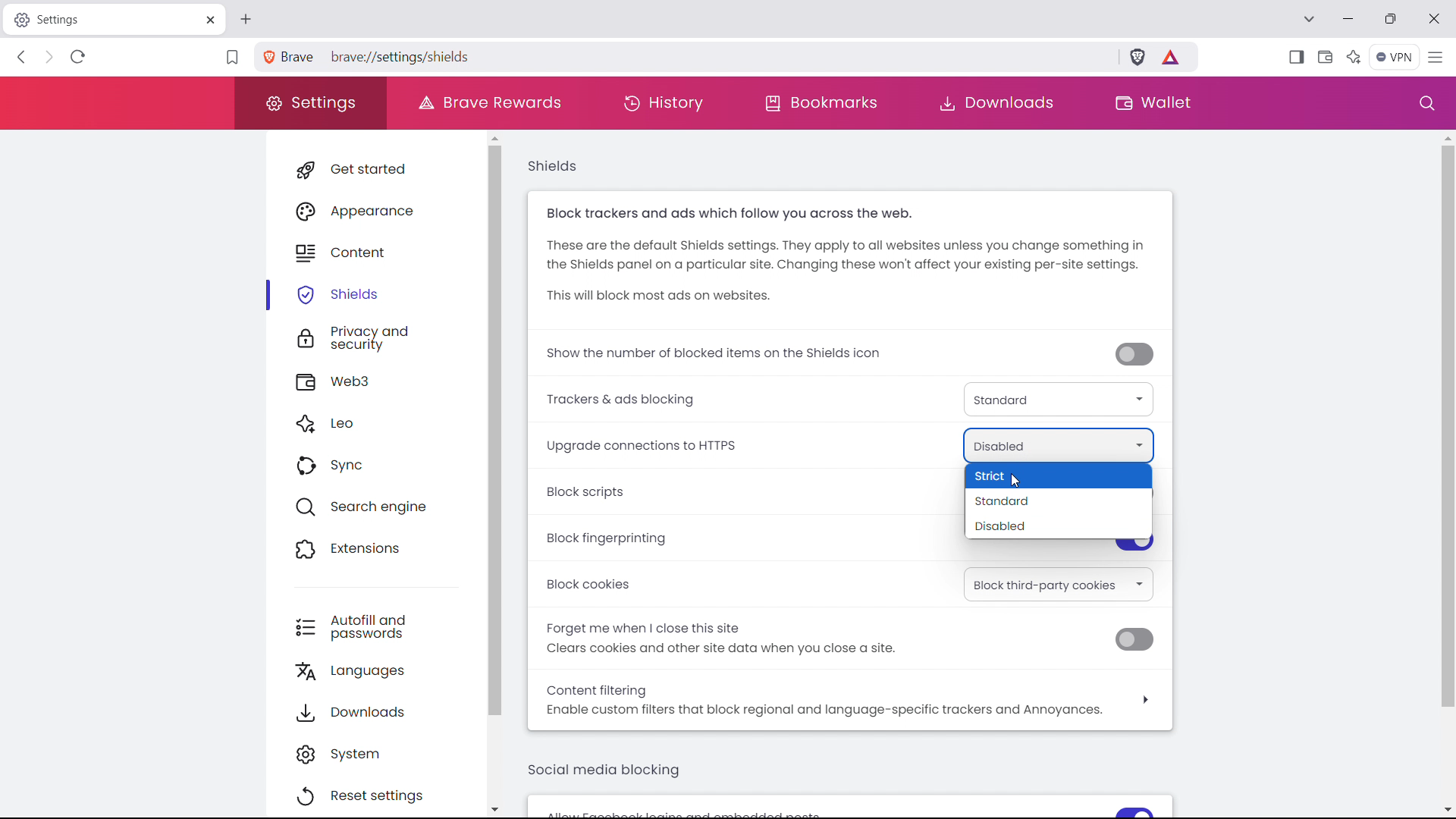 The width and height of the screenshot is (1456, 819). I want to click on search in tabs, so click(1308, 17).